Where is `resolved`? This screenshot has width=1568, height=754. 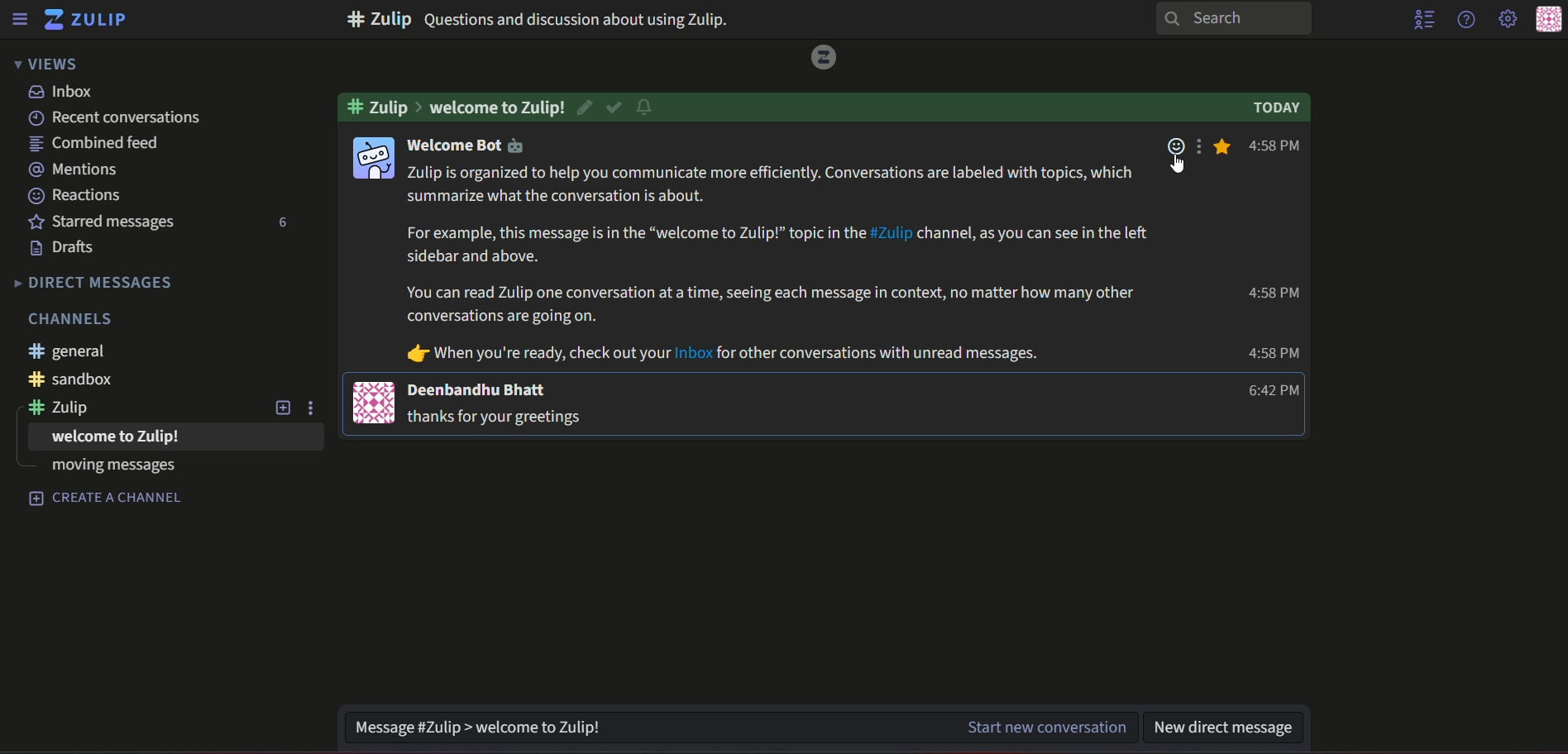
resolved is located at coordinates (614, 106).